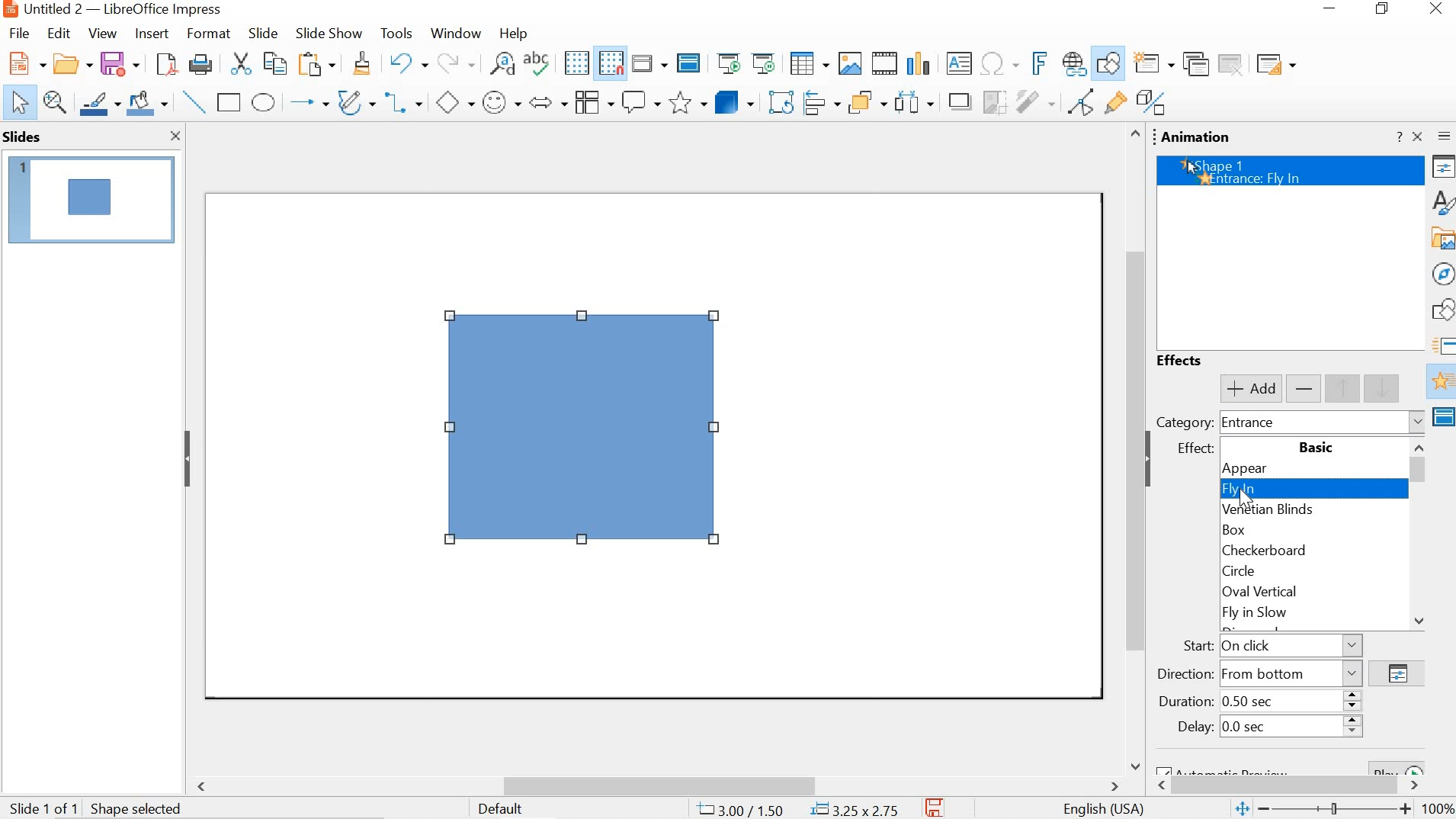  I want to click on 3D objects, so click(734, 101).